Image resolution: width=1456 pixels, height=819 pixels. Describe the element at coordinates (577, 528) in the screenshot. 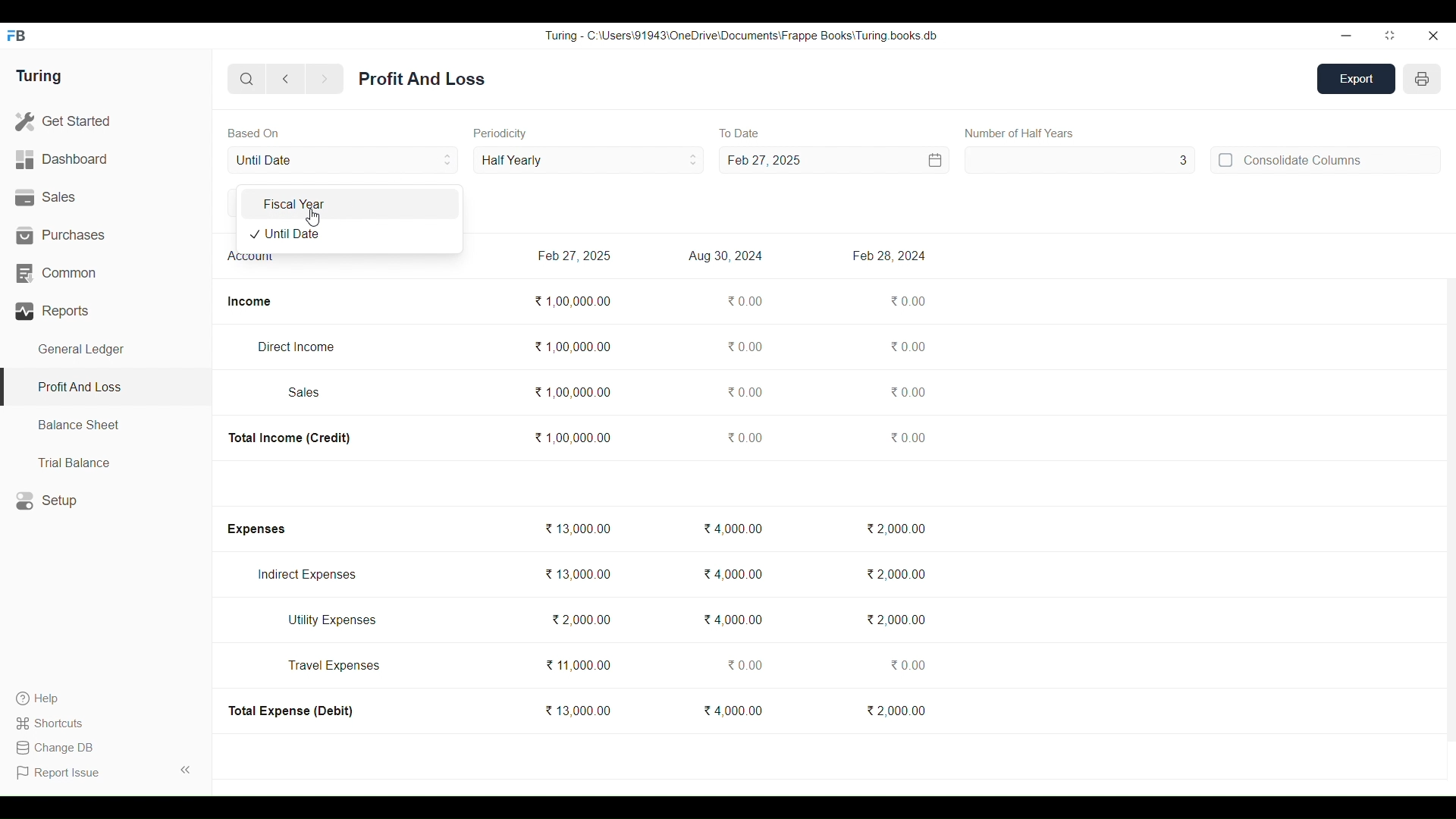

I see `13,000.00` at that location.